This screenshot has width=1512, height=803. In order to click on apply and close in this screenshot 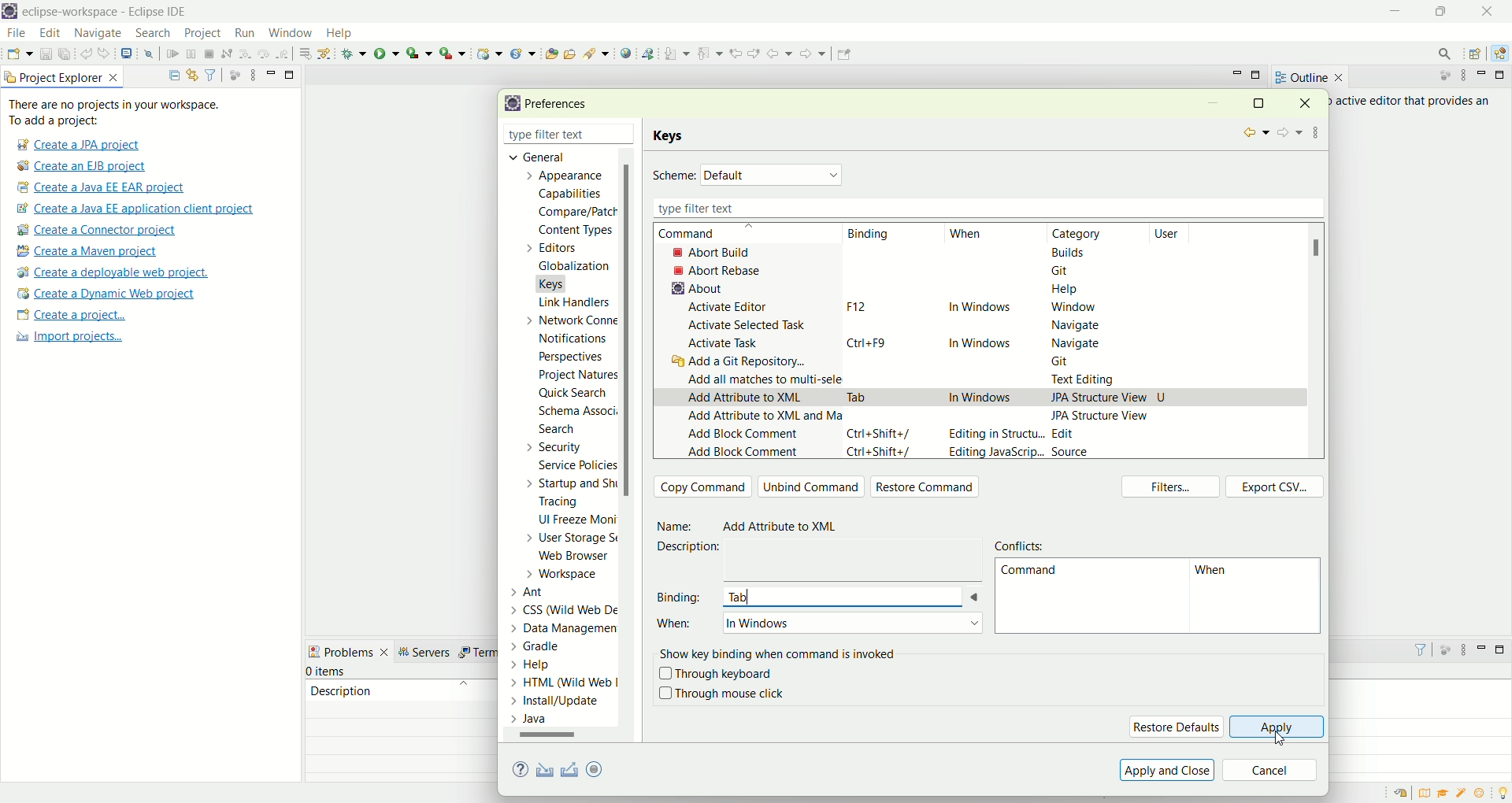, I will do `click(1165, 770)`.